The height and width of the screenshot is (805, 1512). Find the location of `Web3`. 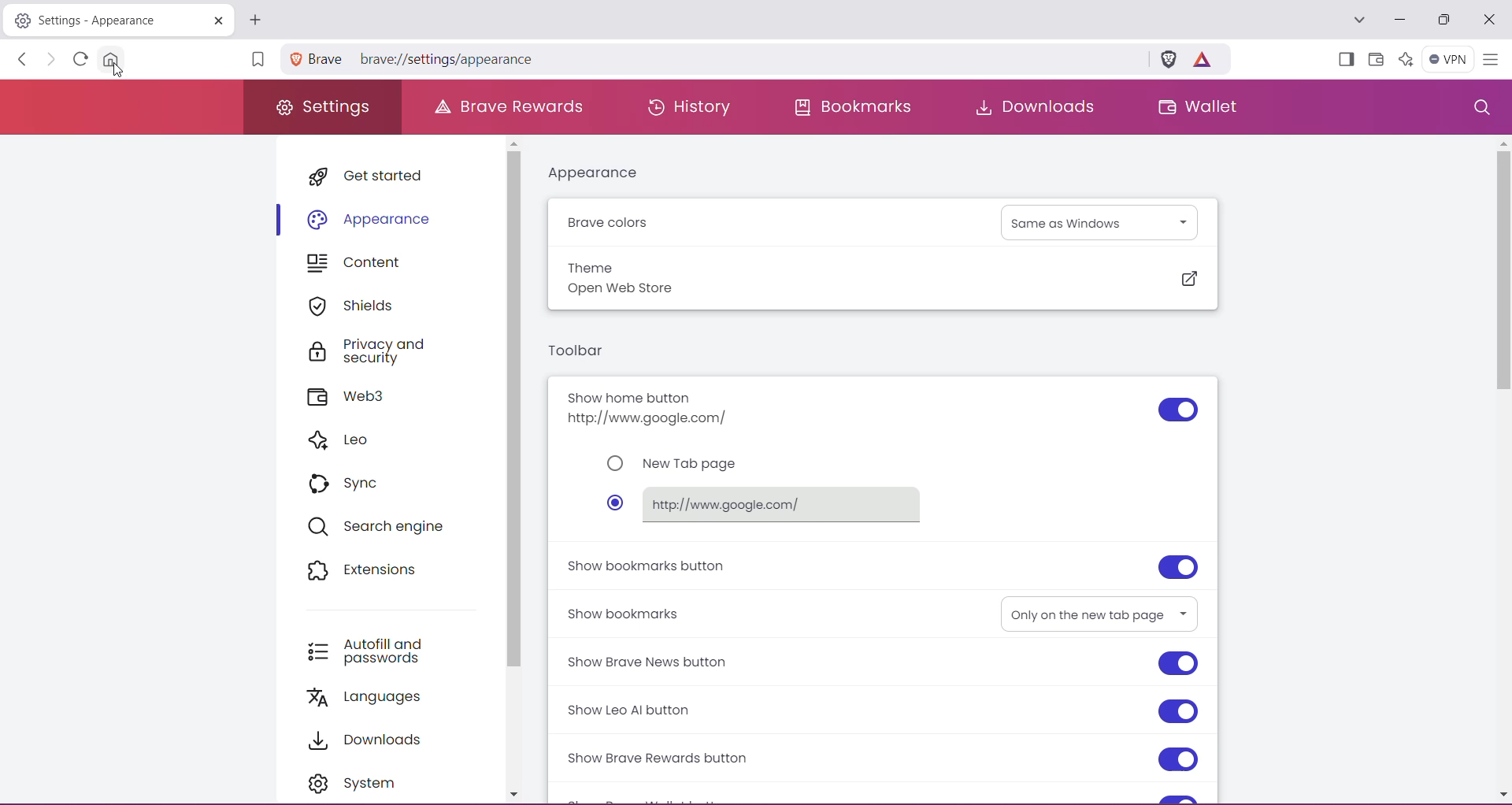

Web3 is located at coordinates (355, 398).